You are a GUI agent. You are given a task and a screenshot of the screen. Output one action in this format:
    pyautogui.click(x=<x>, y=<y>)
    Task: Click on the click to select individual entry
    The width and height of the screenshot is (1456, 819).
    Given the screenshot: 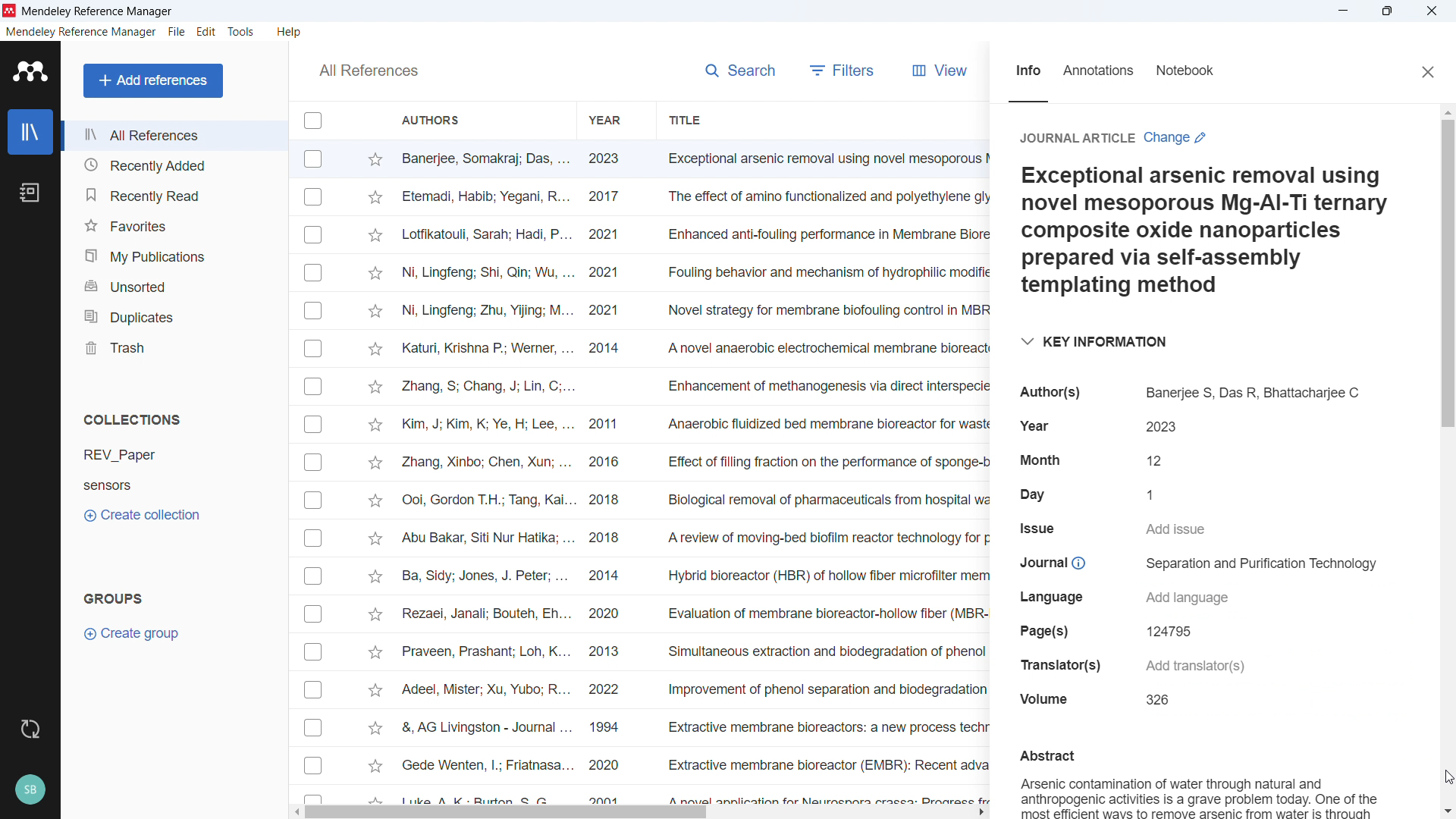 What is the action you would take?
    pyautogui.click(x=316, y=463)
    